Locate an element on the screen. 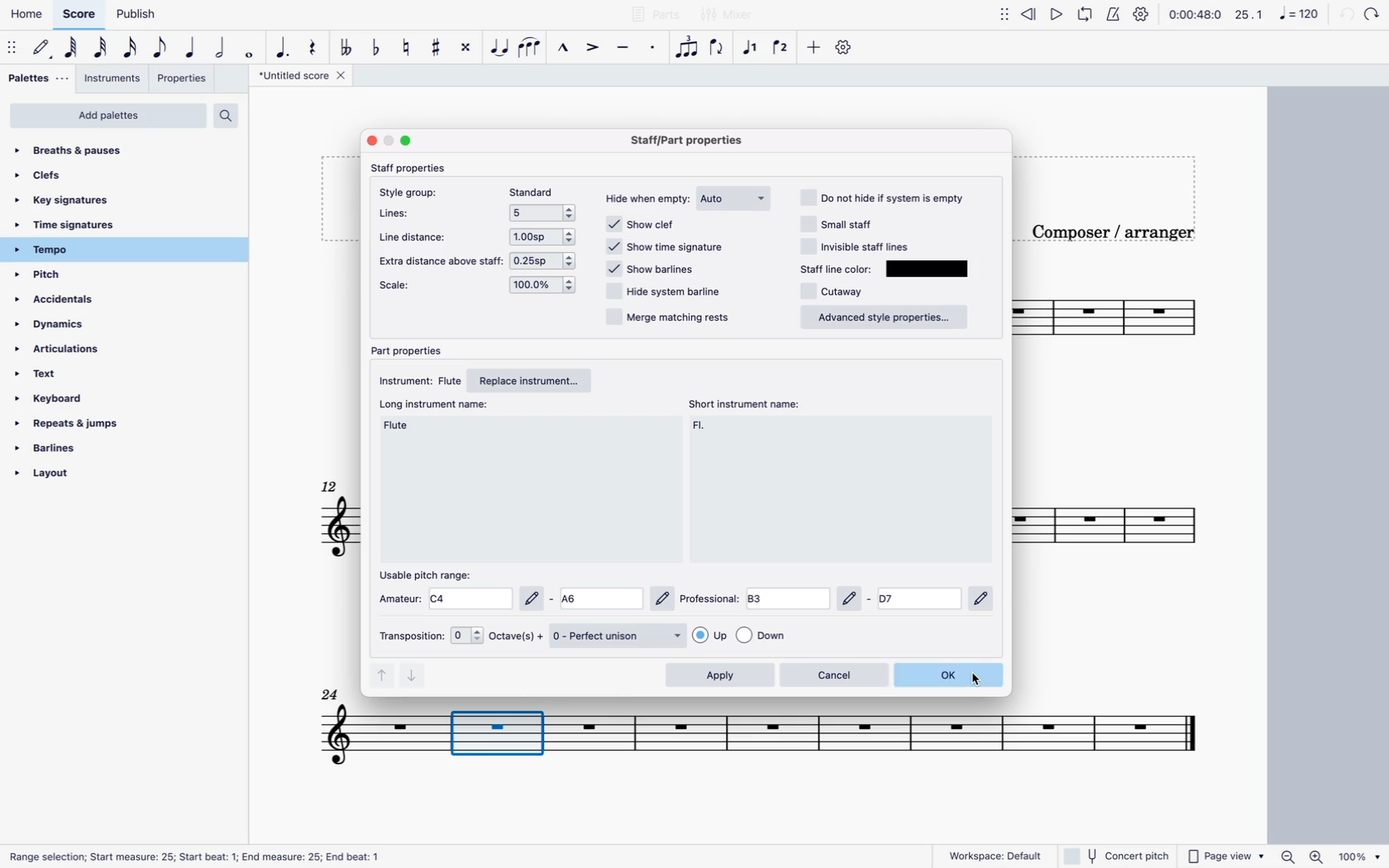  up is located at coordinates (380, 675).